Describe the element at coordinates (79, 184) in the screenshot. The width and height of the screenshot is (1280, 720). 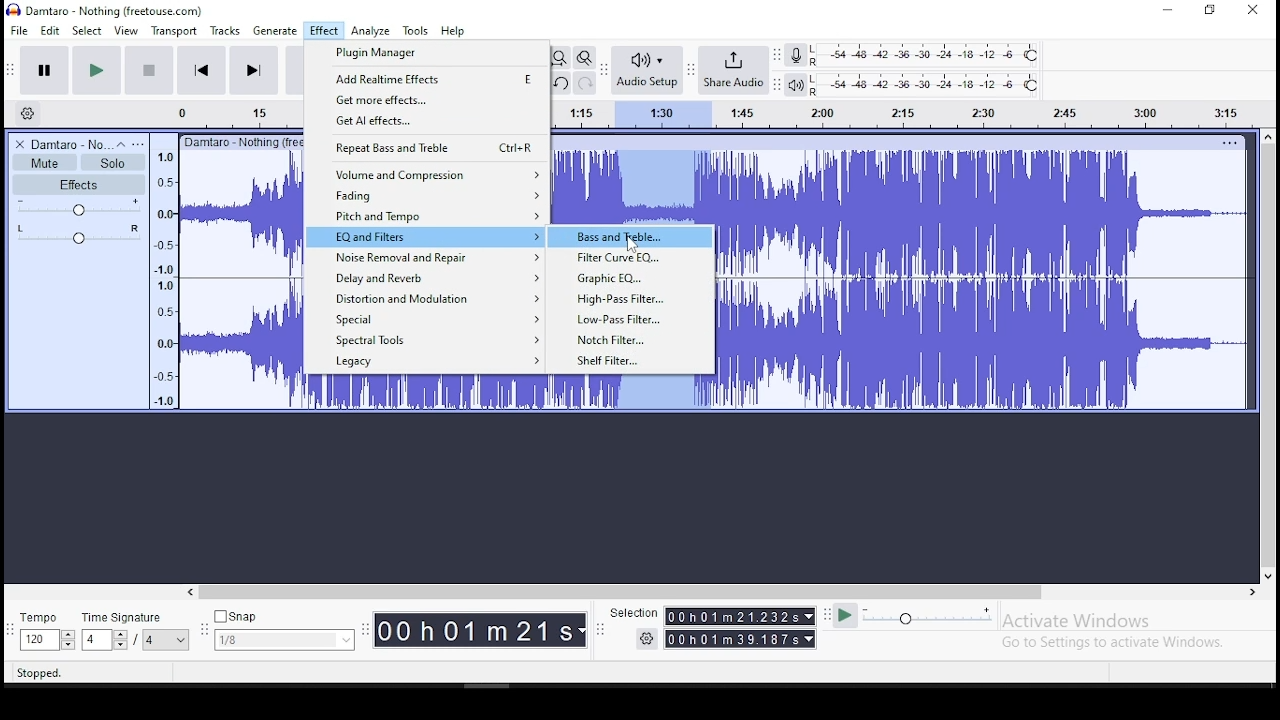
I see `effects` at that location.